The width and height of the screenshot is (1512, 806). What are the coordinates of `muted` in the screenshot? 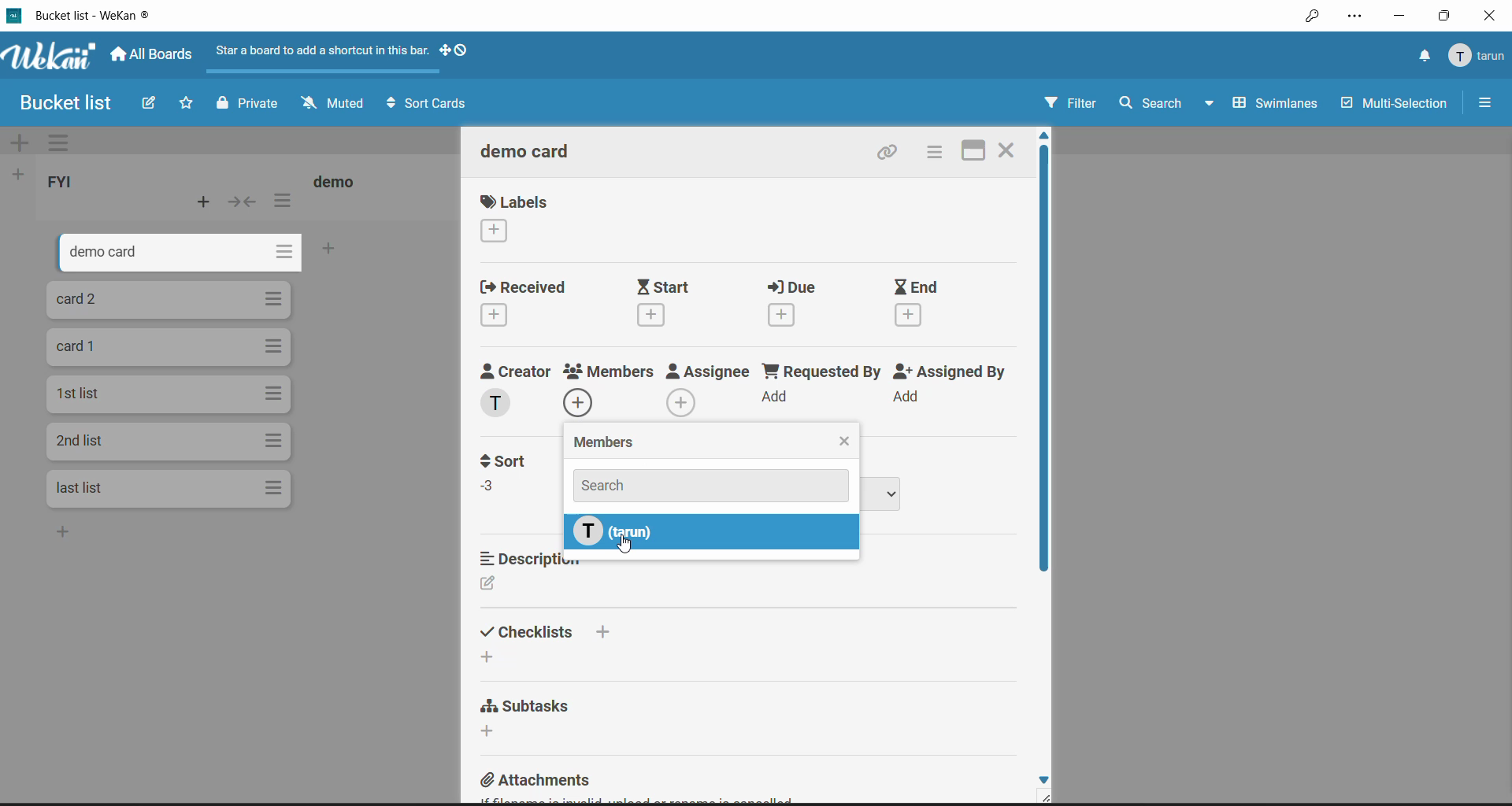 It's located at (335, 102).